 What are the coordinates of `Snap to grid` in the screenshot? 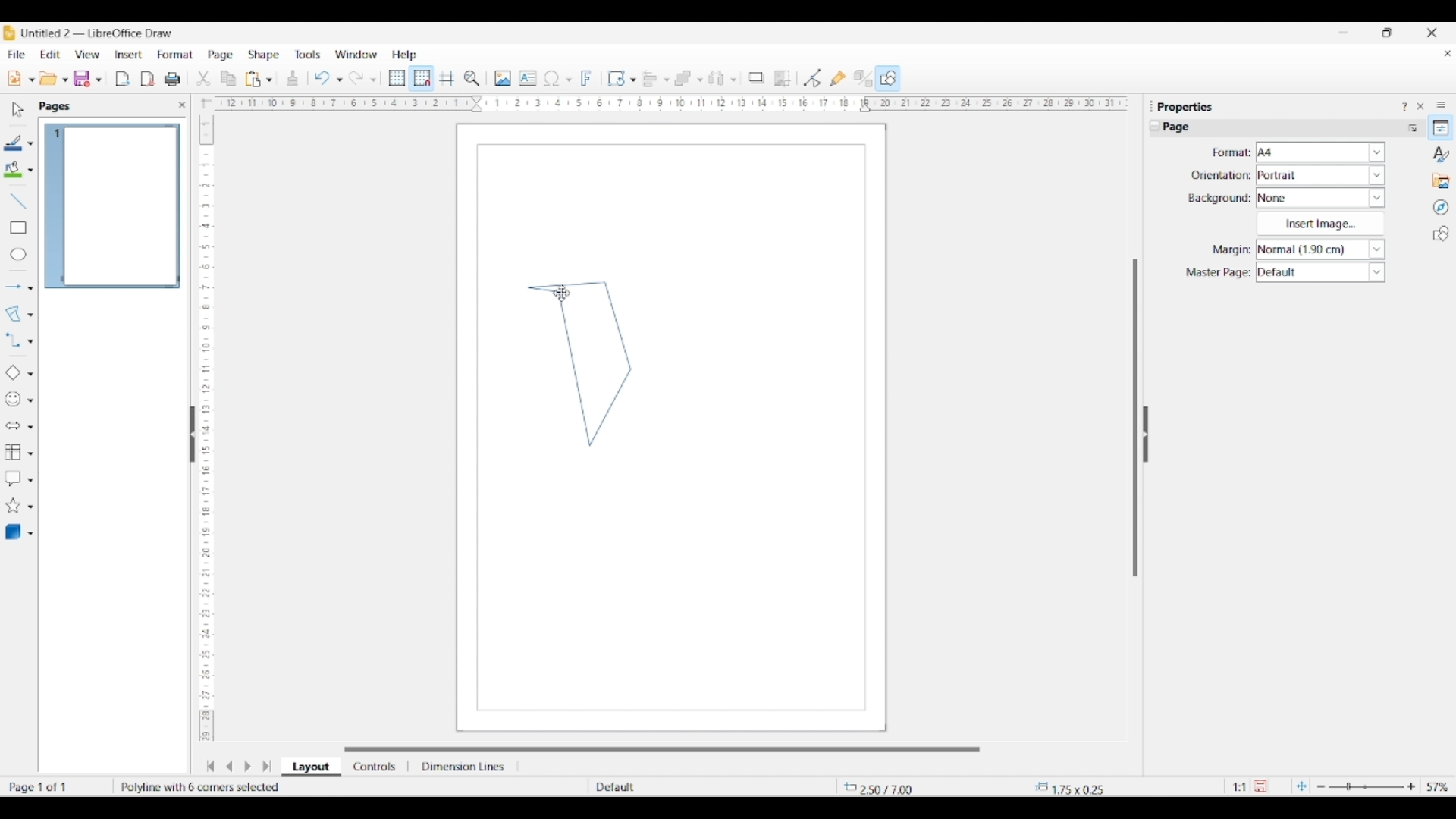 It's located at (422, 79).